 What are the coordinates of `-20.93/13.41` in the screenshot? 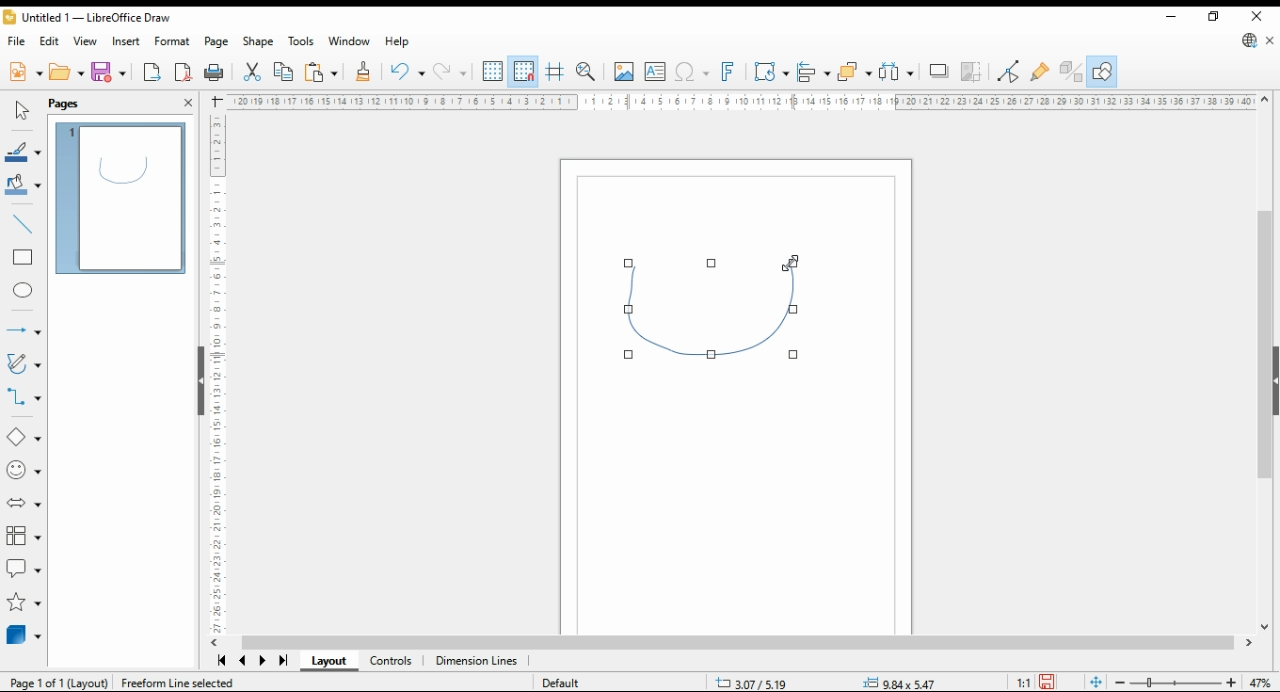 It's located at (756, 683).